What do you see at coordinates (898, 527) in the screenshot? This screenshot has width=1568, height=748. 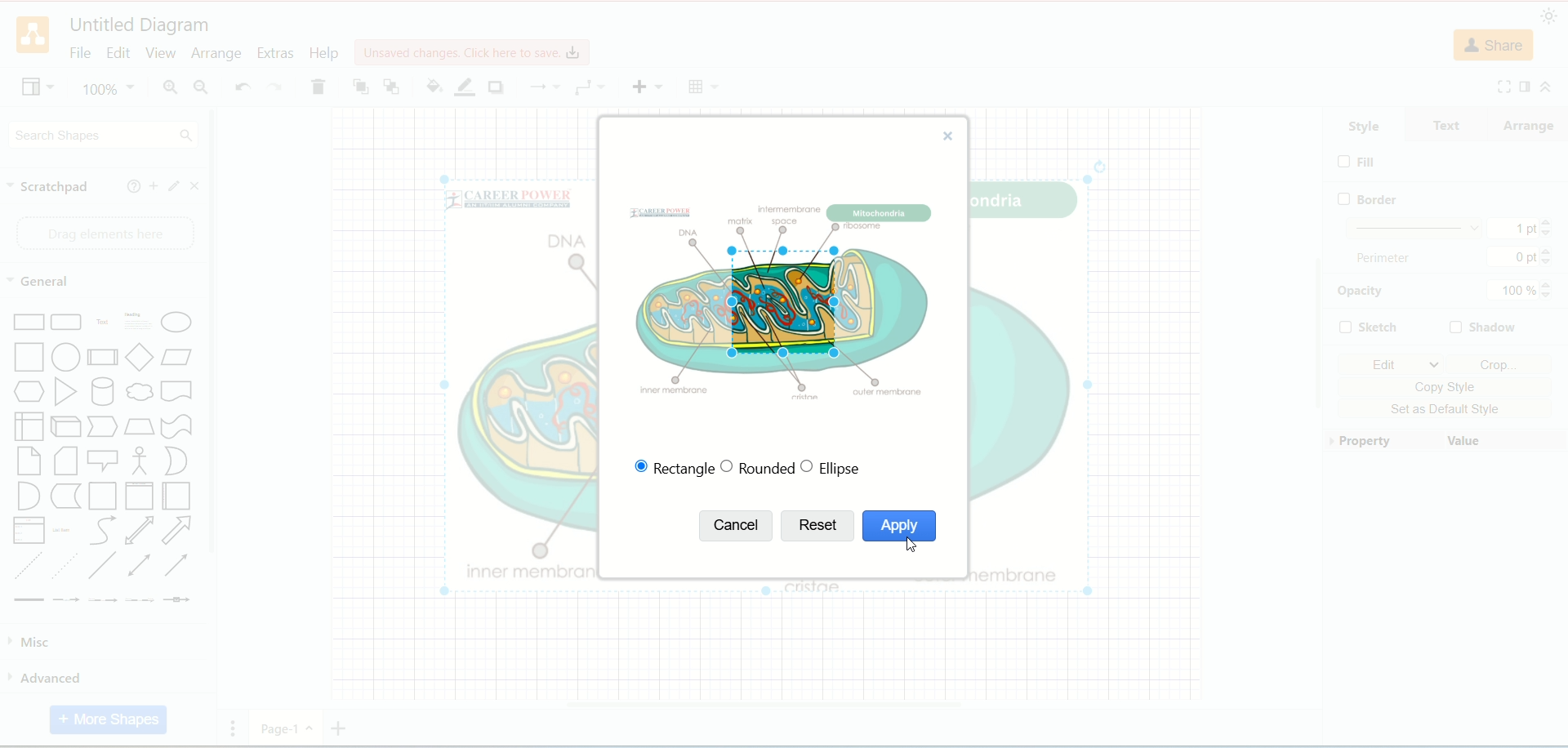 I see `apply` at bounding box center [898, 527].